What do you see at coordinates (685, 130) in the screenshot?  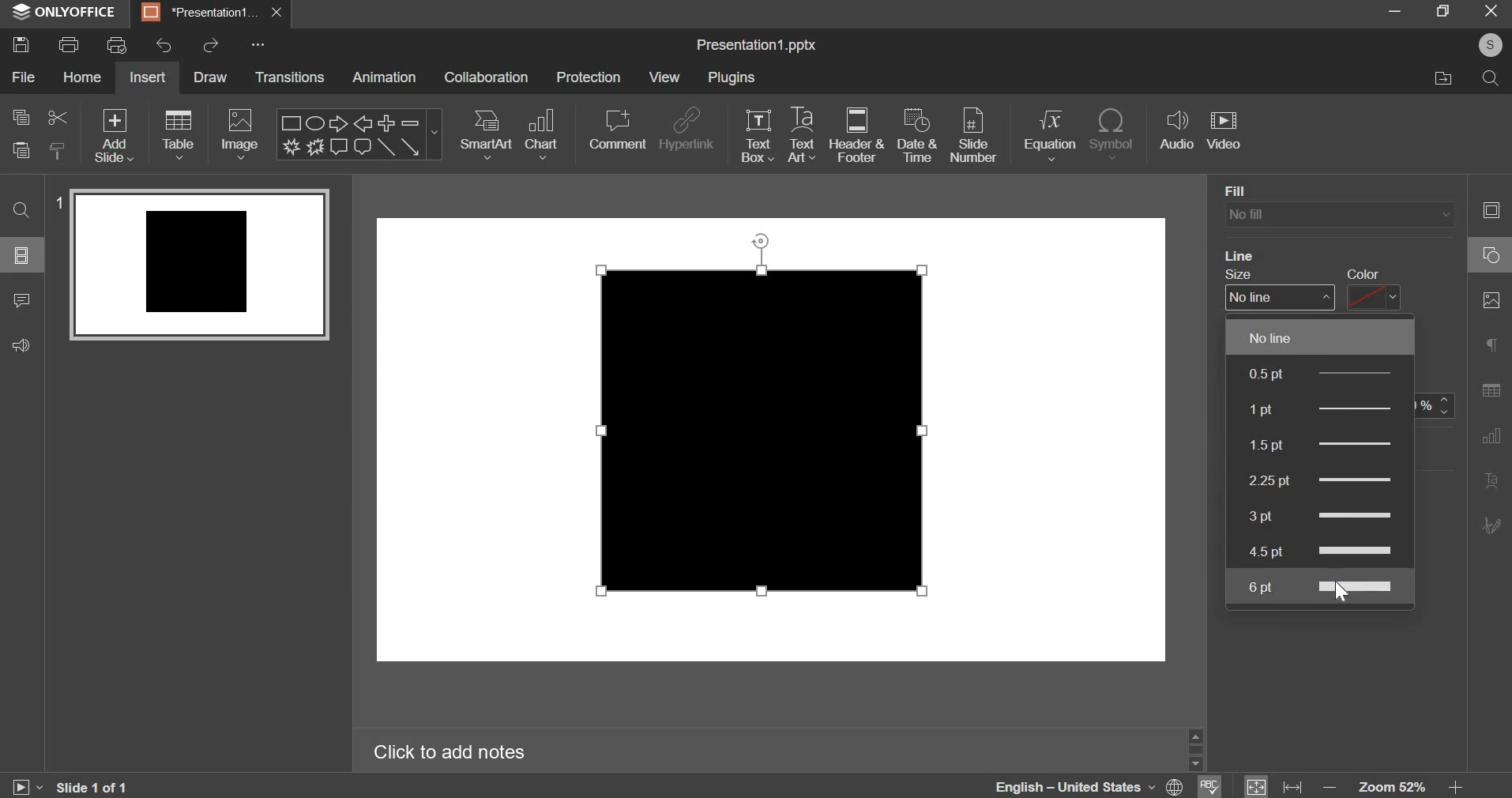 I see `hyperlink` at bounding box center [685, 130].